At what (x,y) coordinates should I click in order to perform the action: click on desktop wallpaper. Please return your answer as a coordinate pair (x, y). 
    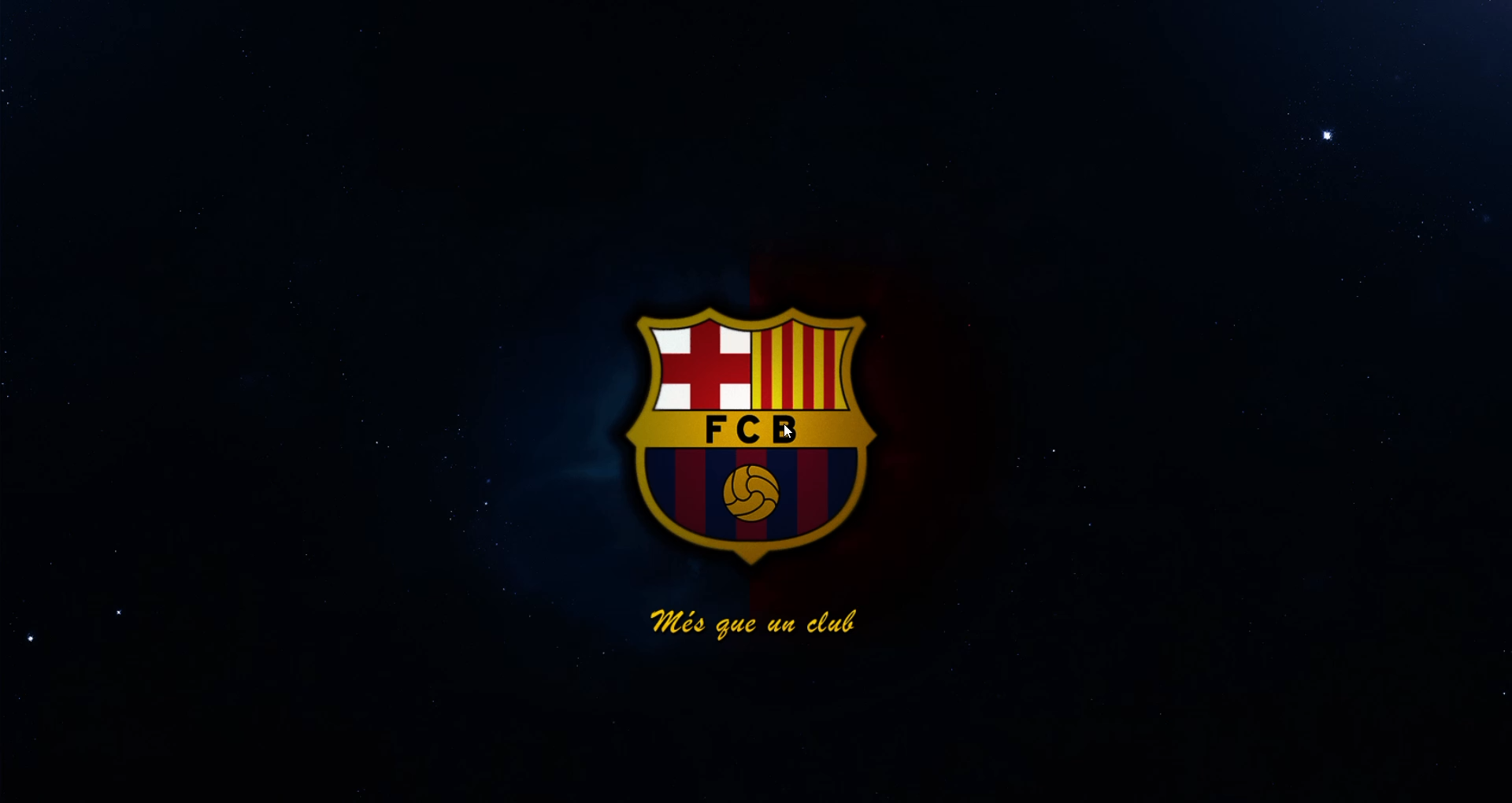
    Looking at the image, I should click on (755, 401).